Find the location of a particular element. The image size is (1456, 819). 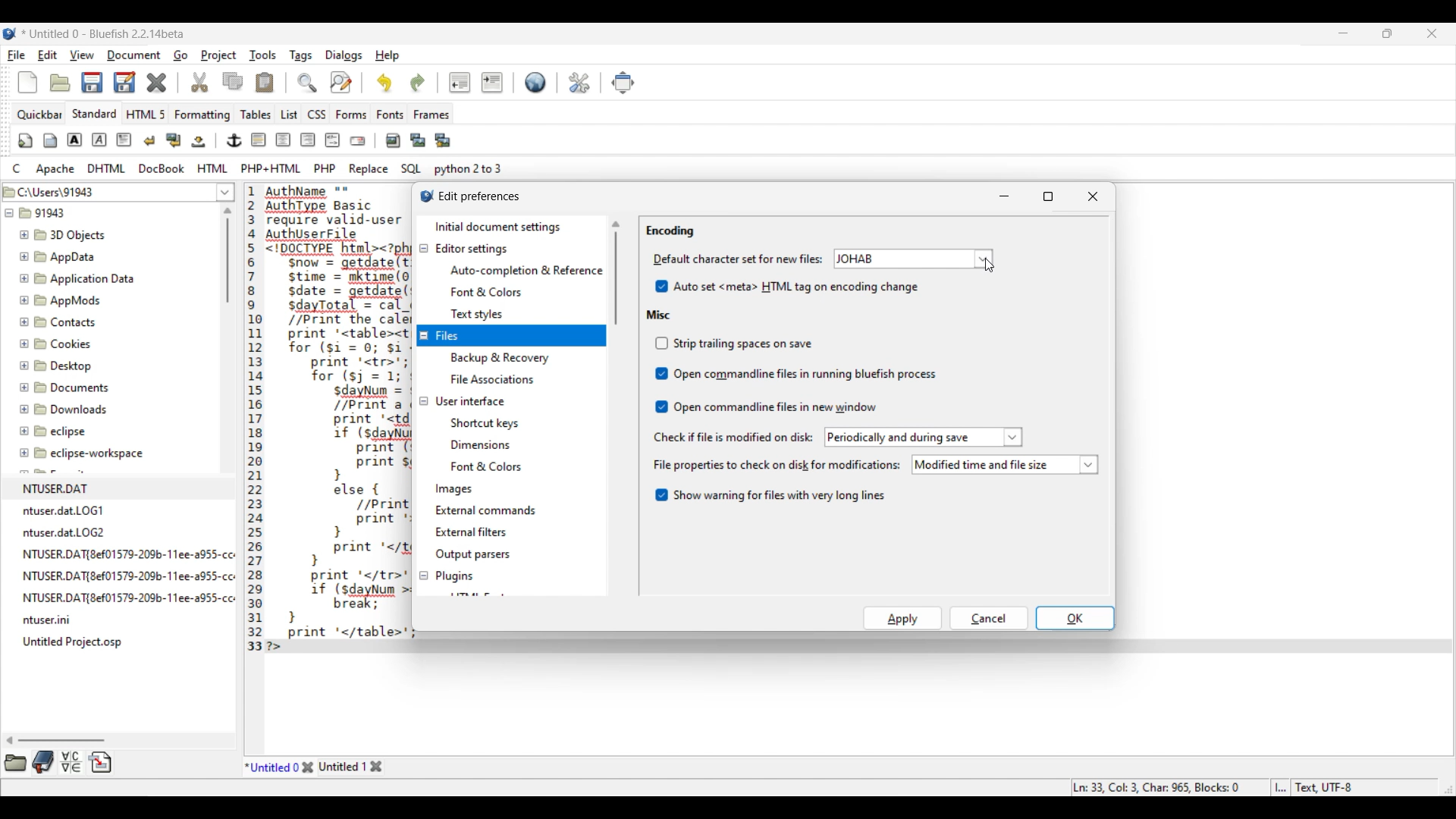

Standard is located at coordinates (95, 114).